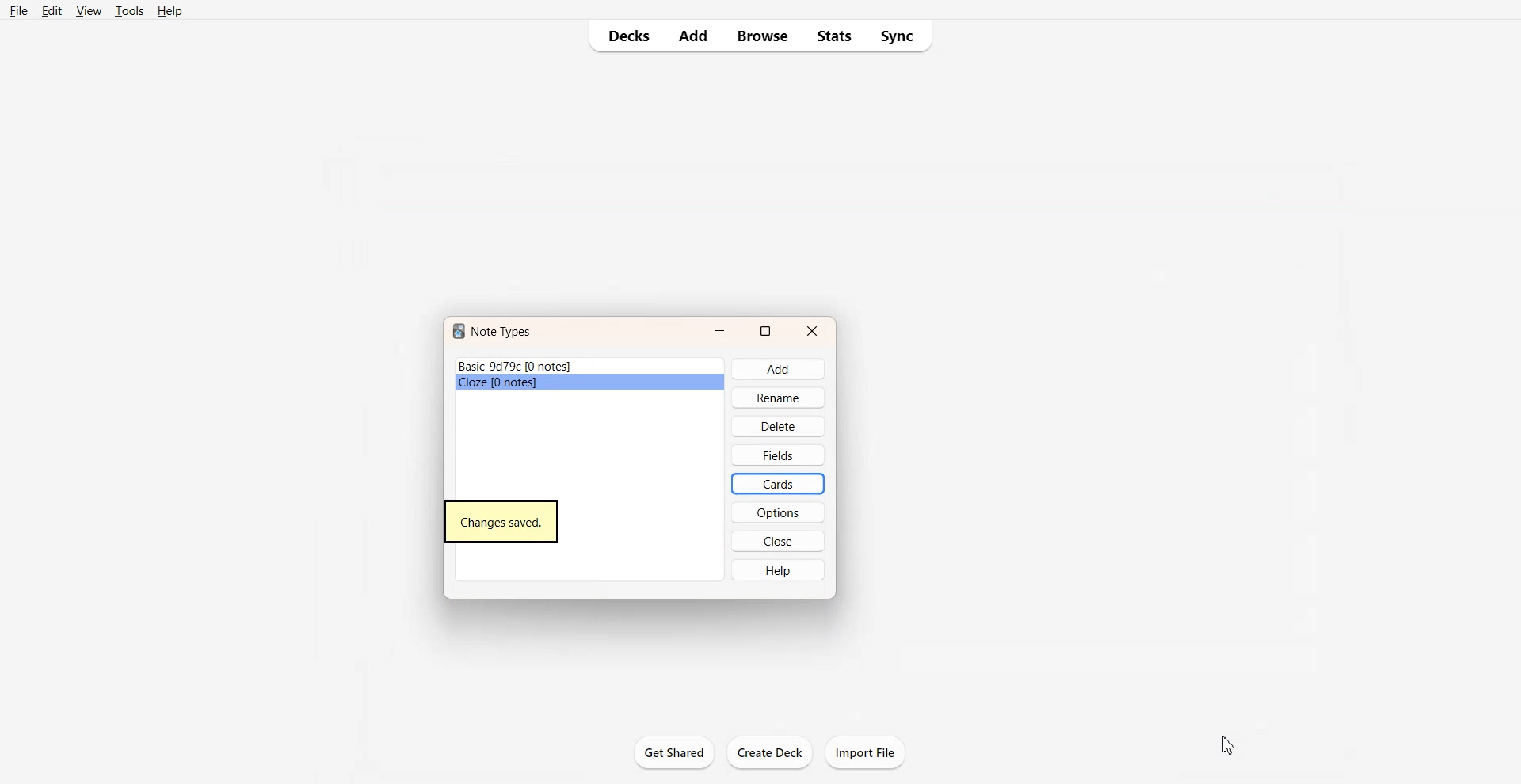  Describe the element at coordinates (719, 328) in the screenshot. I see `minimize` at that location.